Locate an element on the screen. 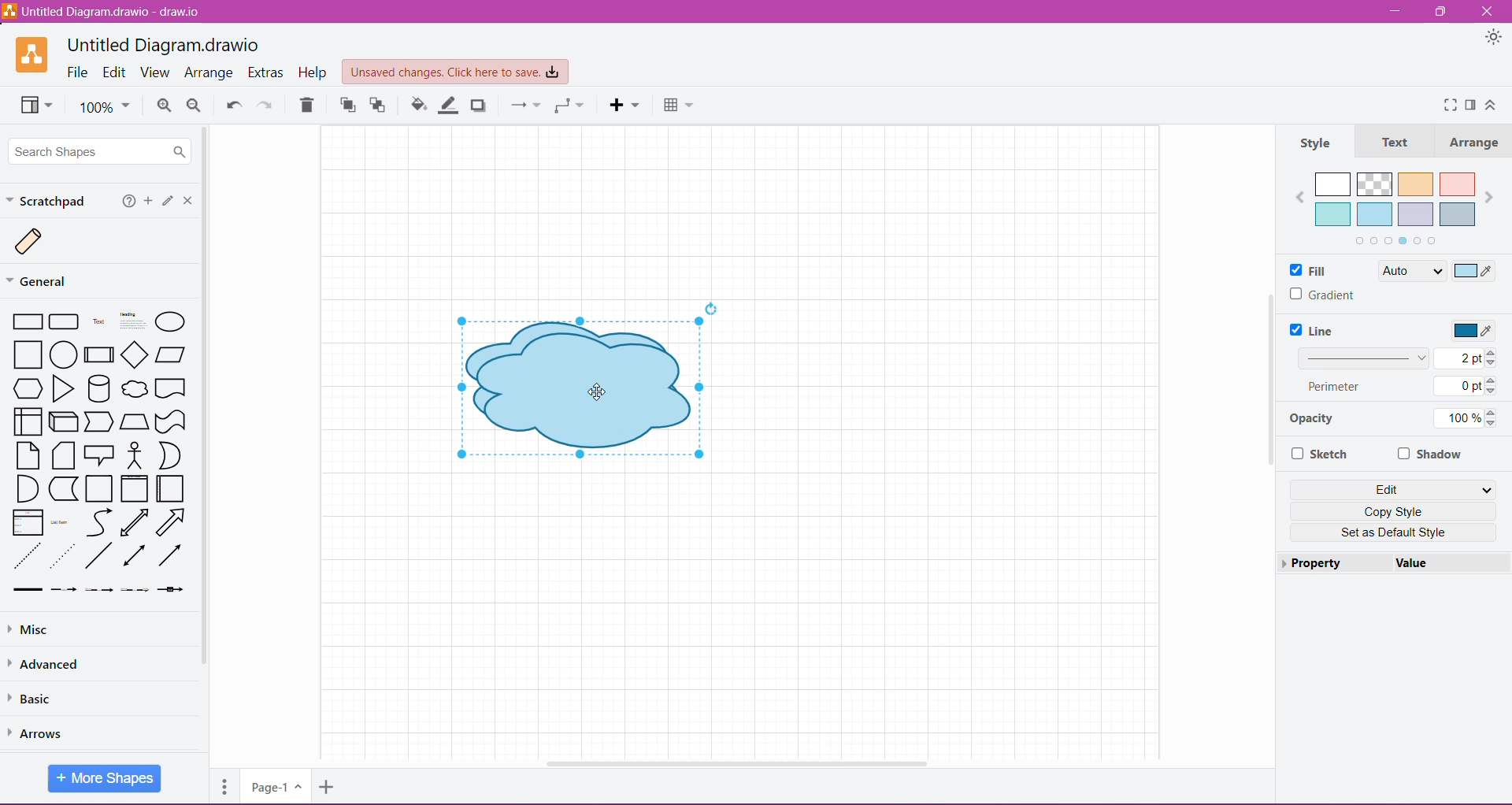  Sketch is located at coordinates (1321, 454).